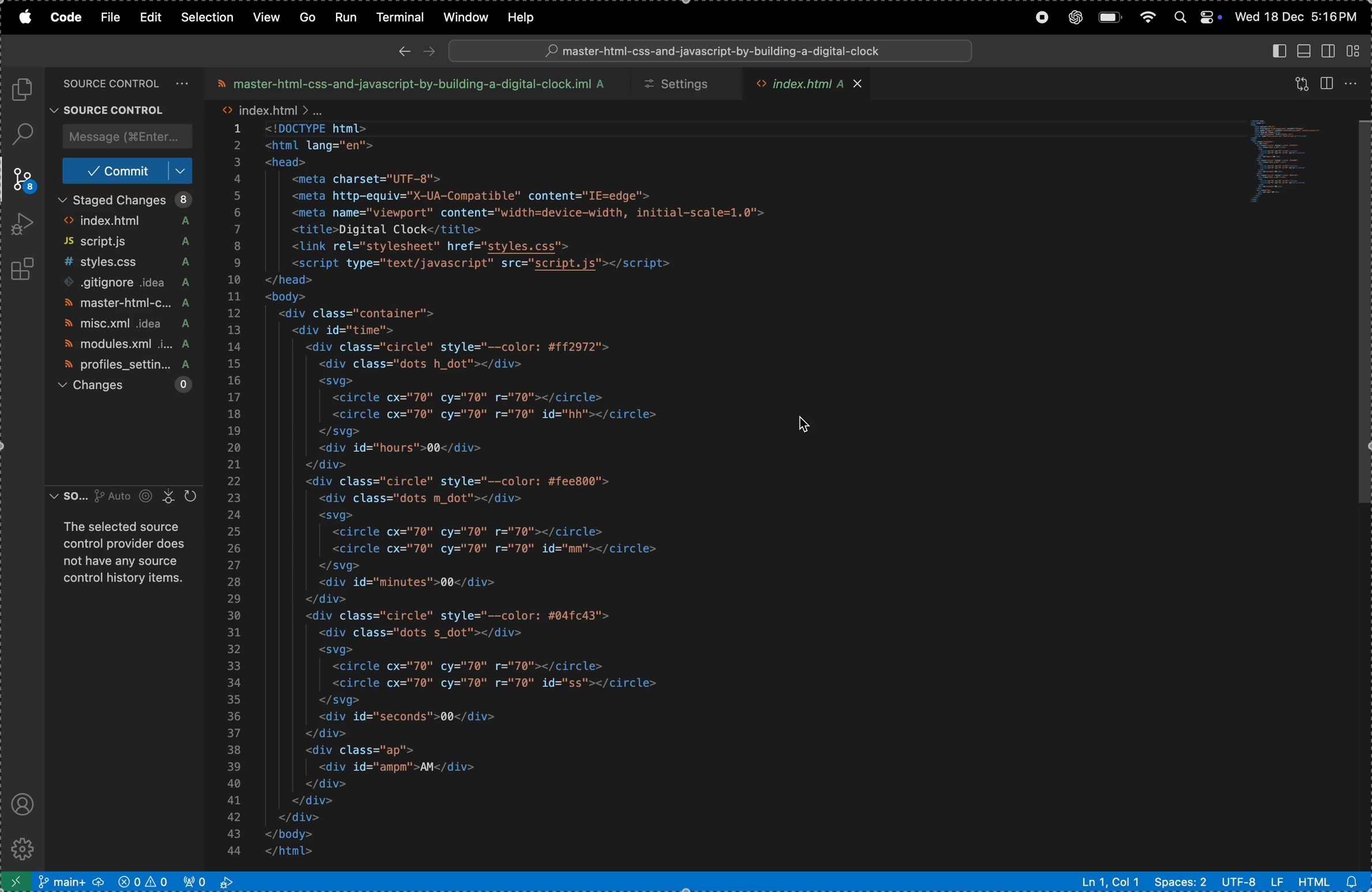  Describe the element at coordinates (153, 17) in the screenshot. I see `edit` at that location.